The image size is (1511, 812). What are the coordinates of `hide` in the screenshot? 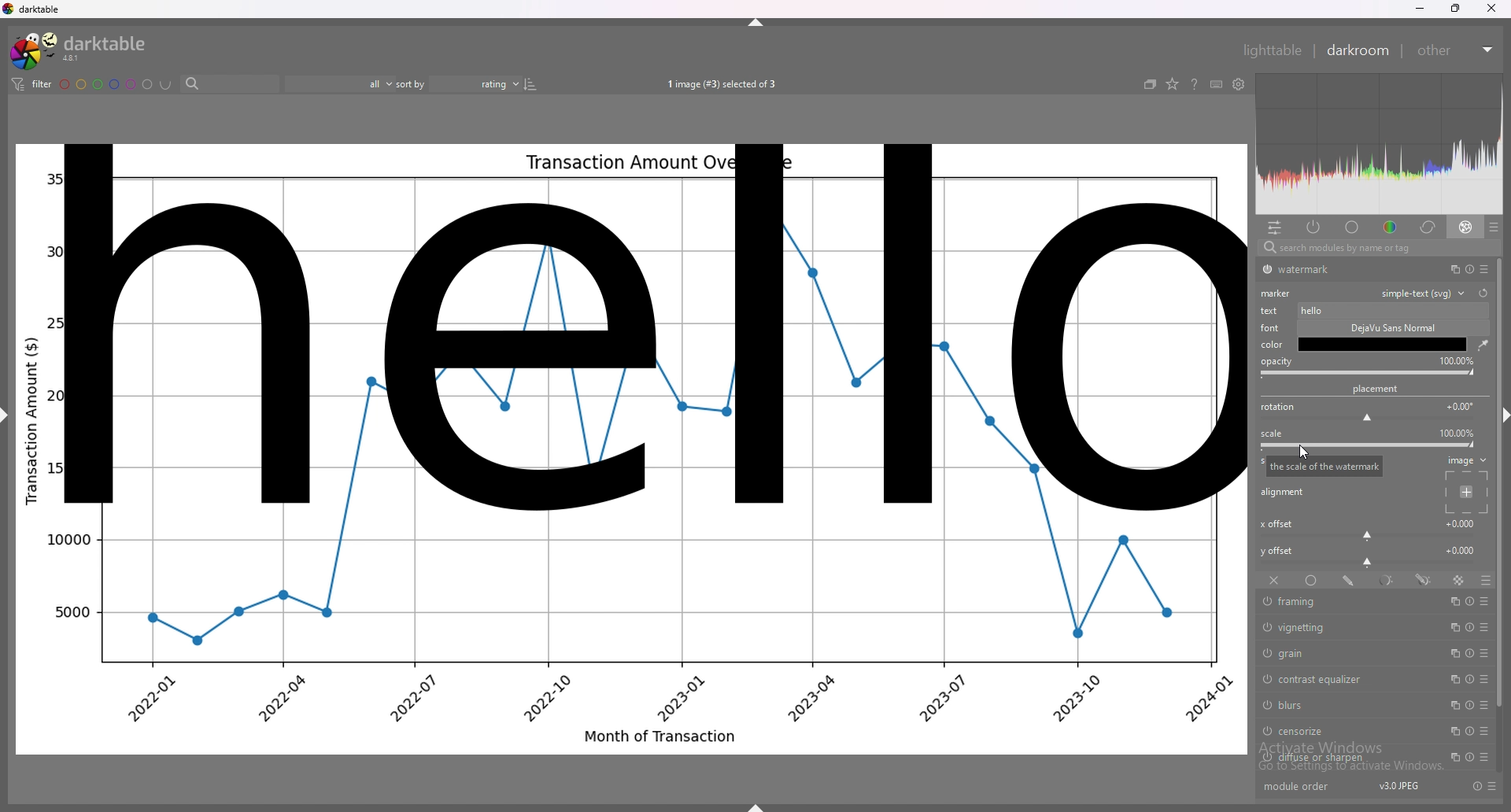 It's located at (757, 22).